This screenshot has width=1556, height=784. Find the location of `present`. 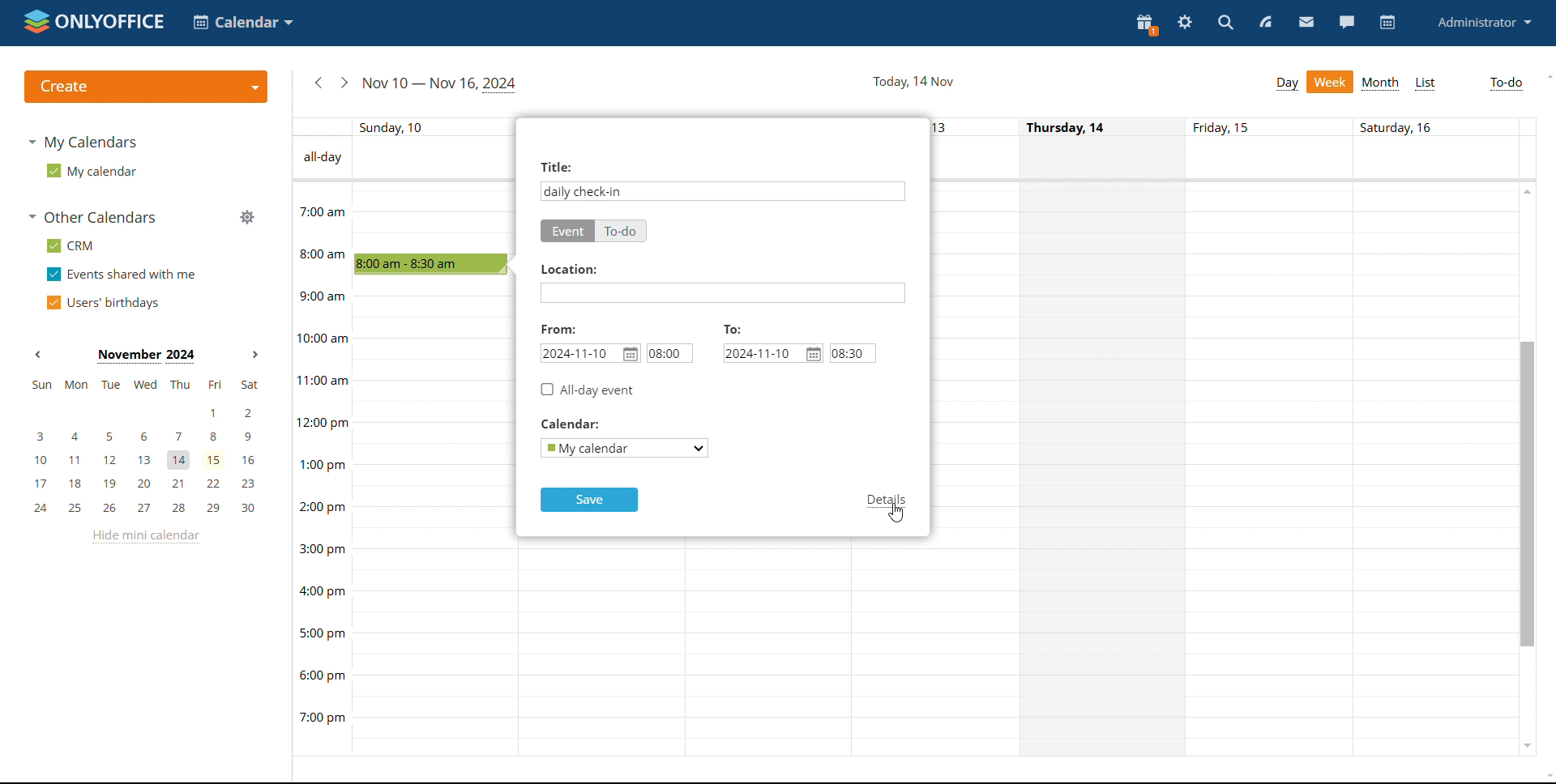

present is located at coordinates (1145, 24).